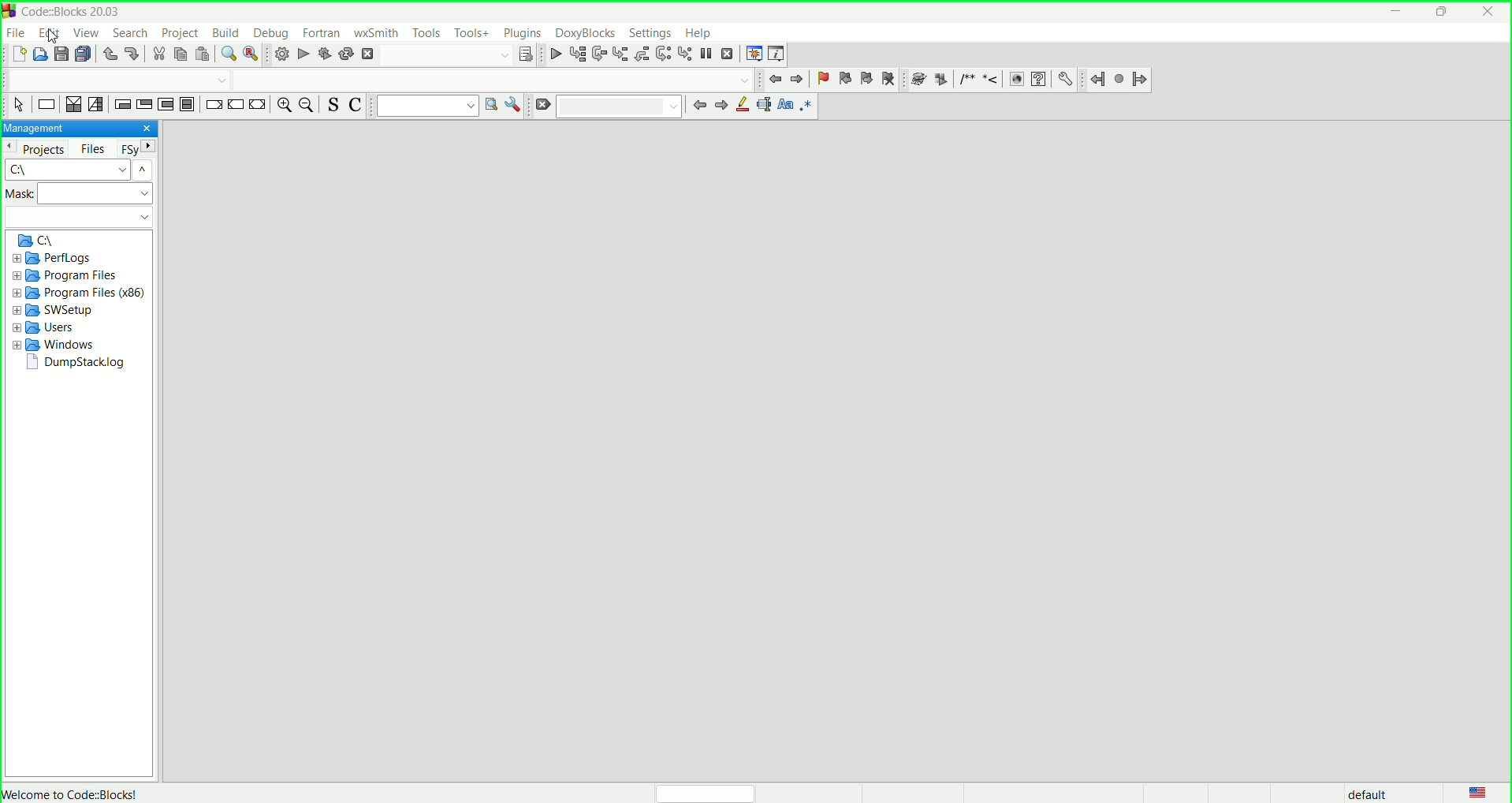  What do you see at coordinates (307, 105) in the screenshot?
I see `zoom out` at bounding box center [307, 105].